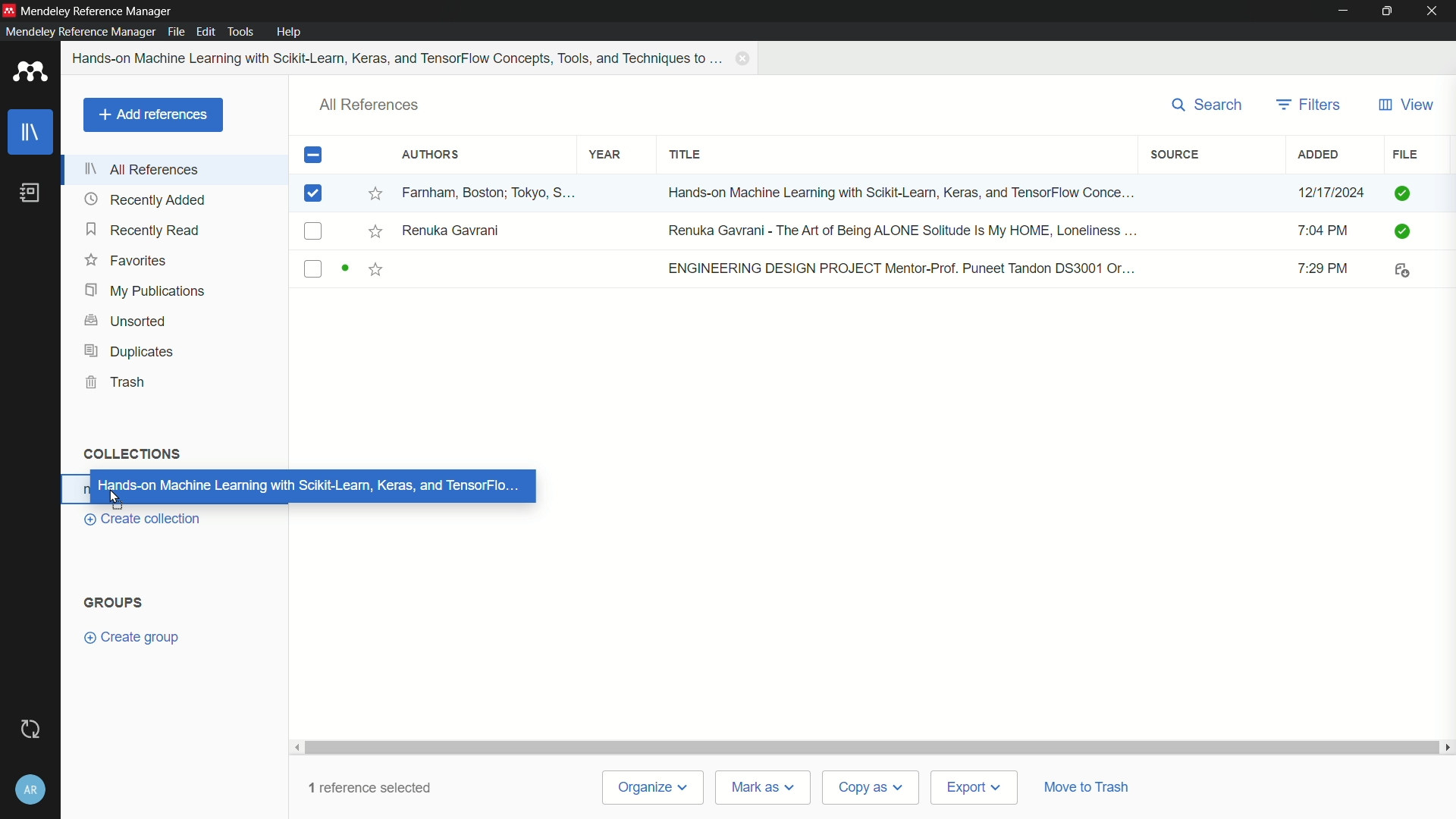 The image size is (1456, 819). What do you see at coordinates (126, 260) in the screenshot?
I see `favorites` at bounding box center [126, 260].